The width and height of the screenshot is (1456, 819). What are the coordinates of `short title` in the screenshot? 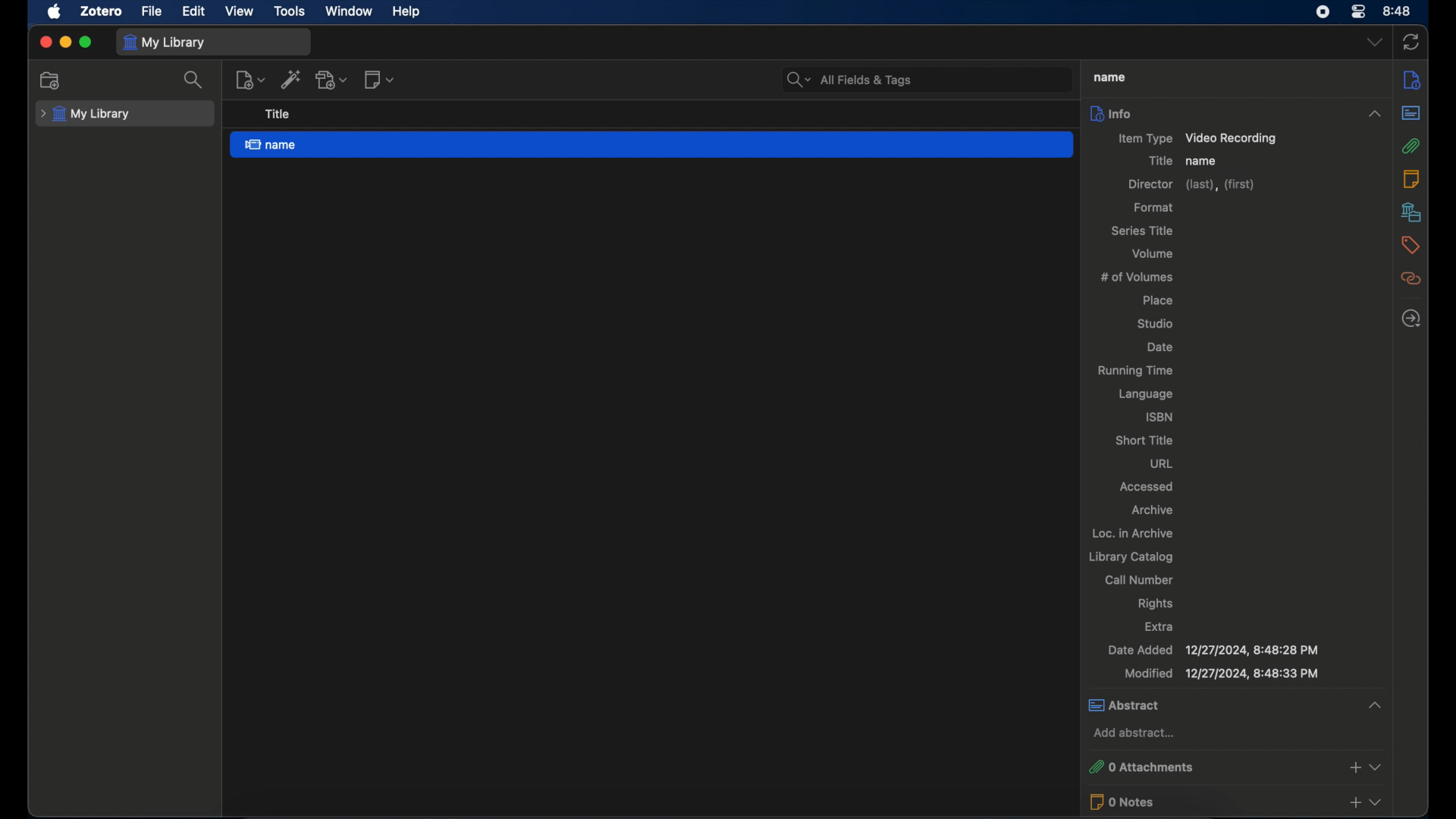 It's located at (1144, 441).